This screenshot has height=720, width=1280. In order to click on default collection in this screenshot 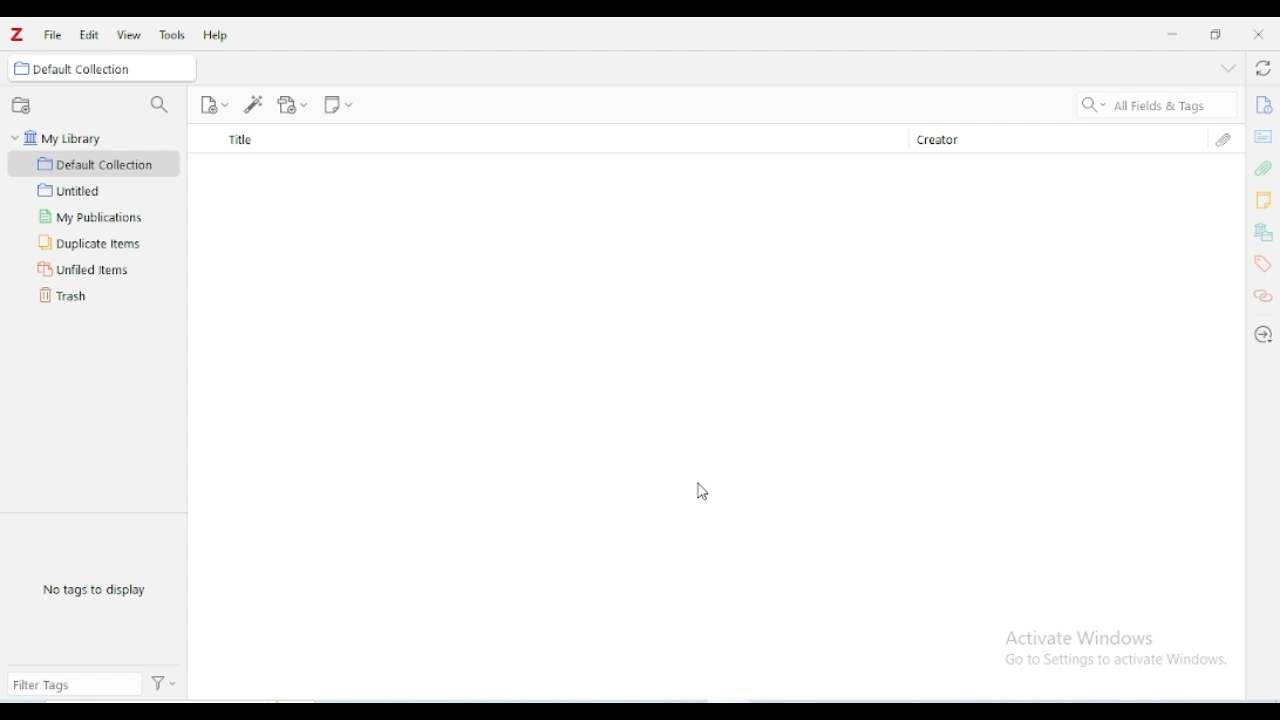, I will do `click(94, 163)`.